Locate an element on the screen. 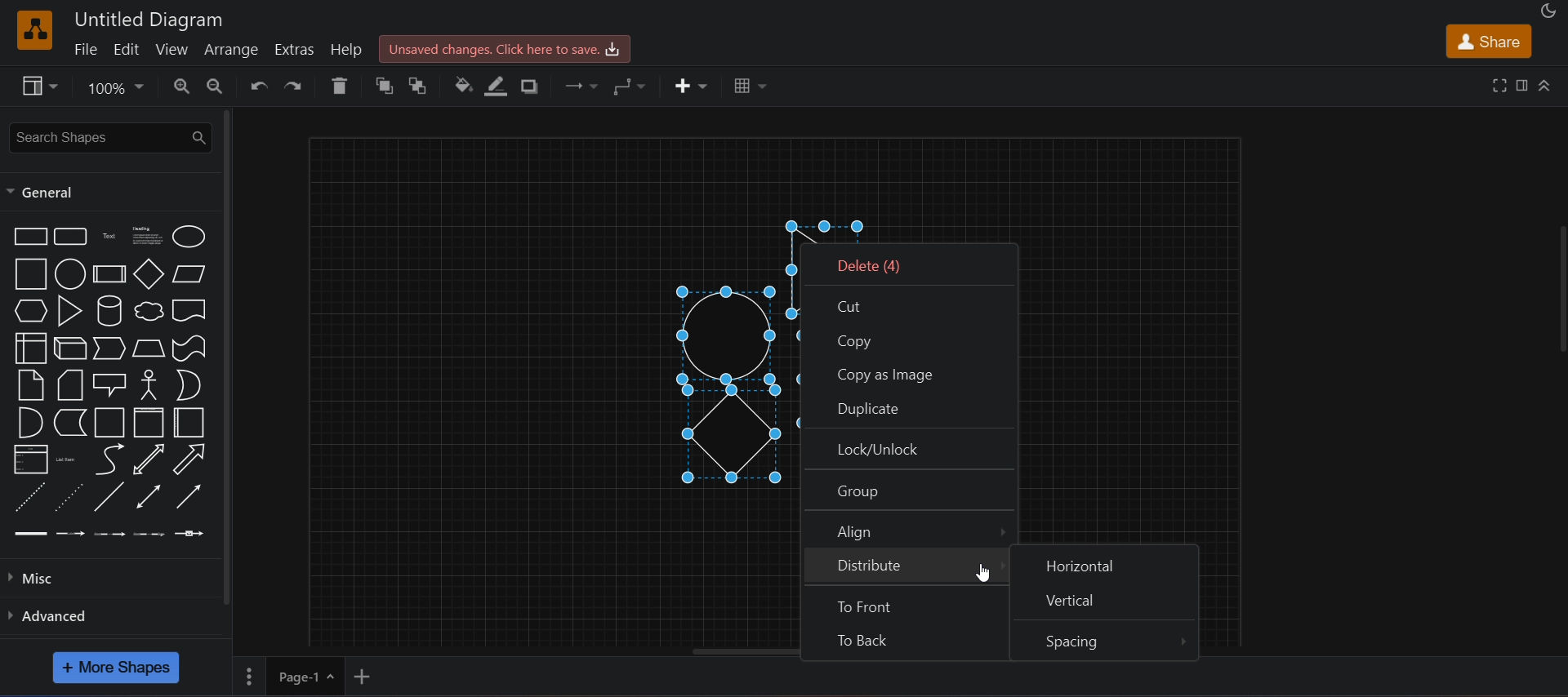 The image size is (1568, 697). untitled diagram is located at coordinates (150, 18).